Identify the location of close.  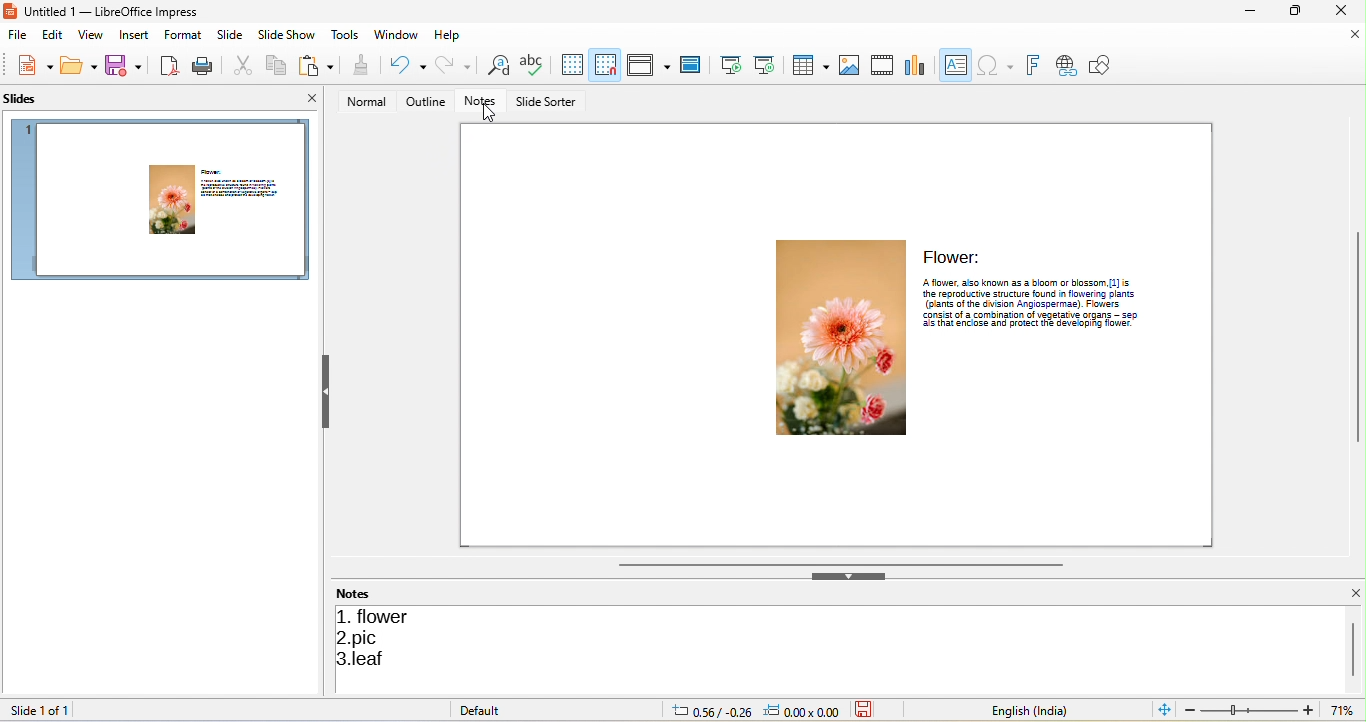
(306, 97).